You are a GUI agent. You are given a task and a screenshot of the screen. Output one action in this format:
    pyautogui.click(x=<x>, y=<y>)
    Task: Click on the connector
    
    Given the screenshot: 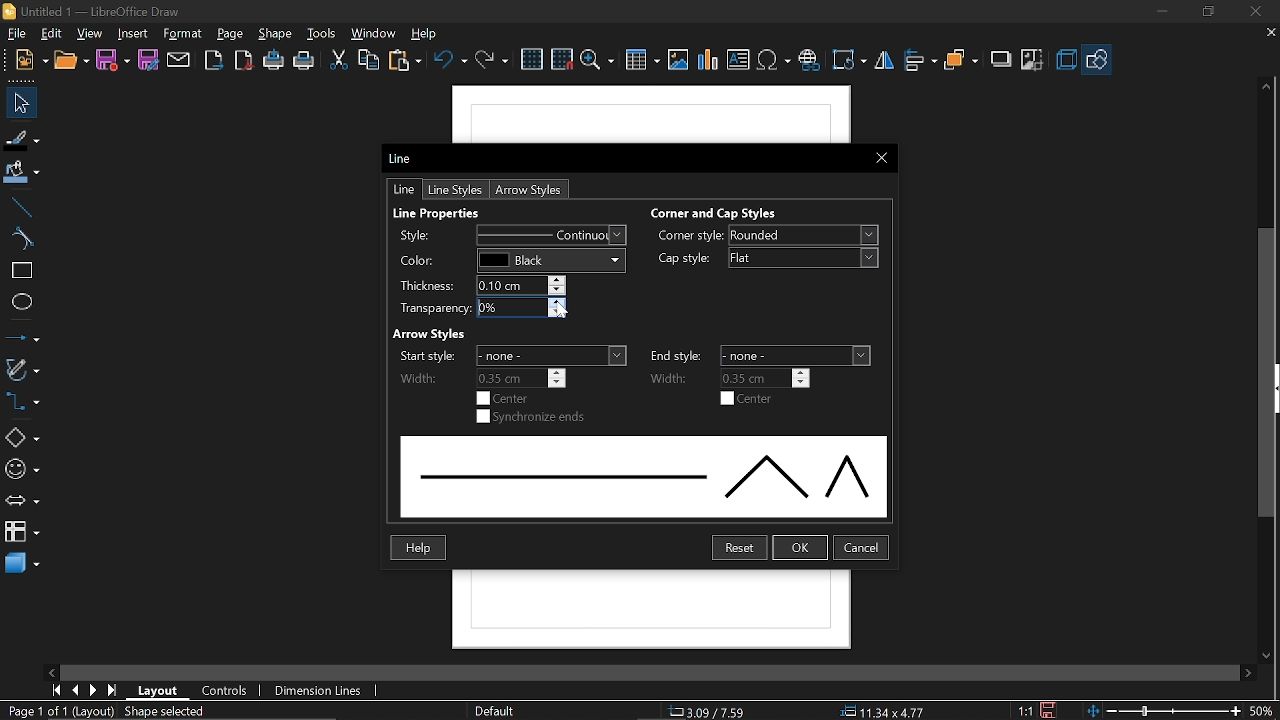 What is the action you would take?
    pyautogui.click(x=21, y=402)
    